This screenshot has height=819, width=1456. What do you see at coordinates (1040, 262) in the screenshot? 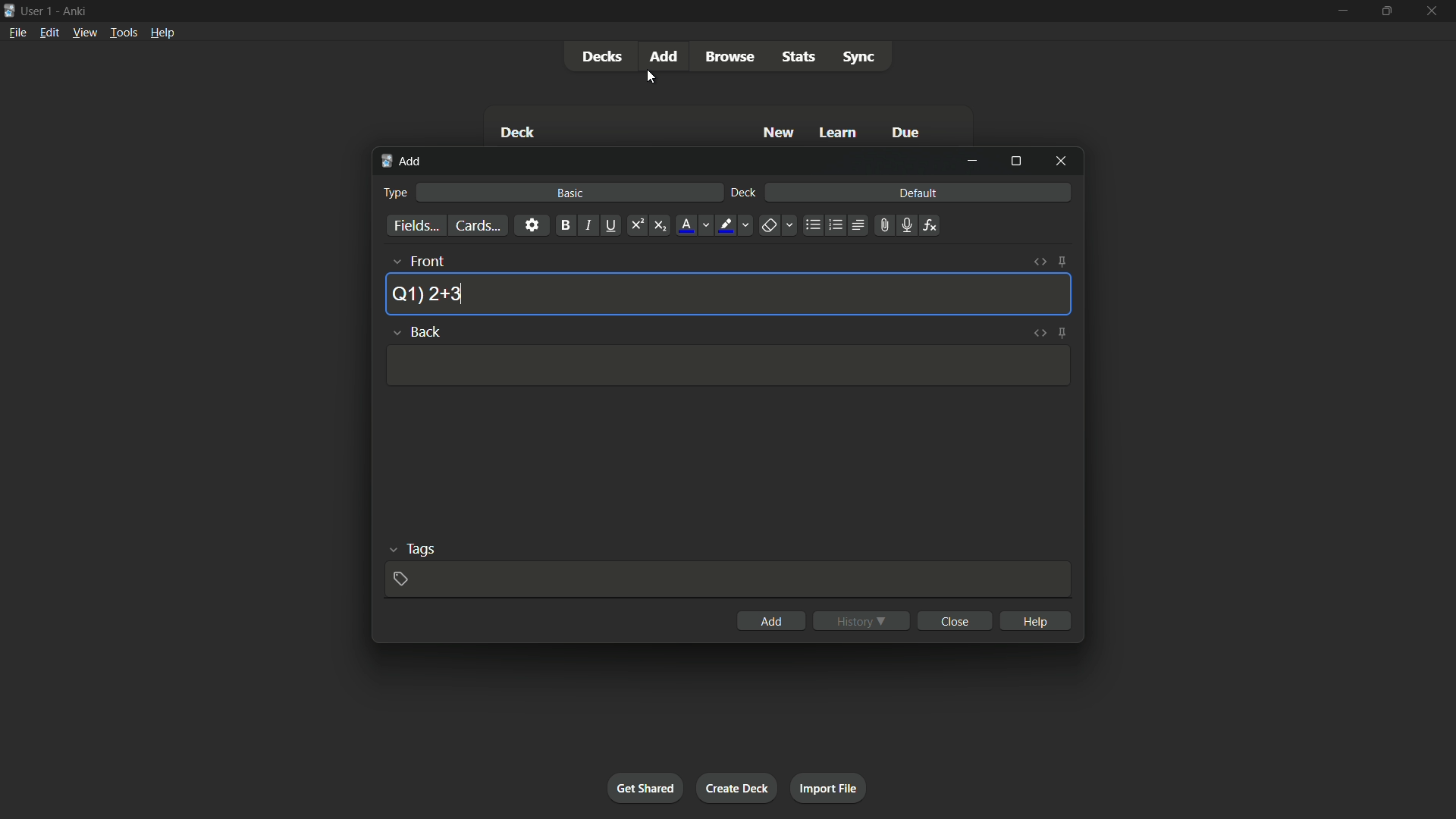
I see `toggle html editor` at bounding box center [1040, 262].